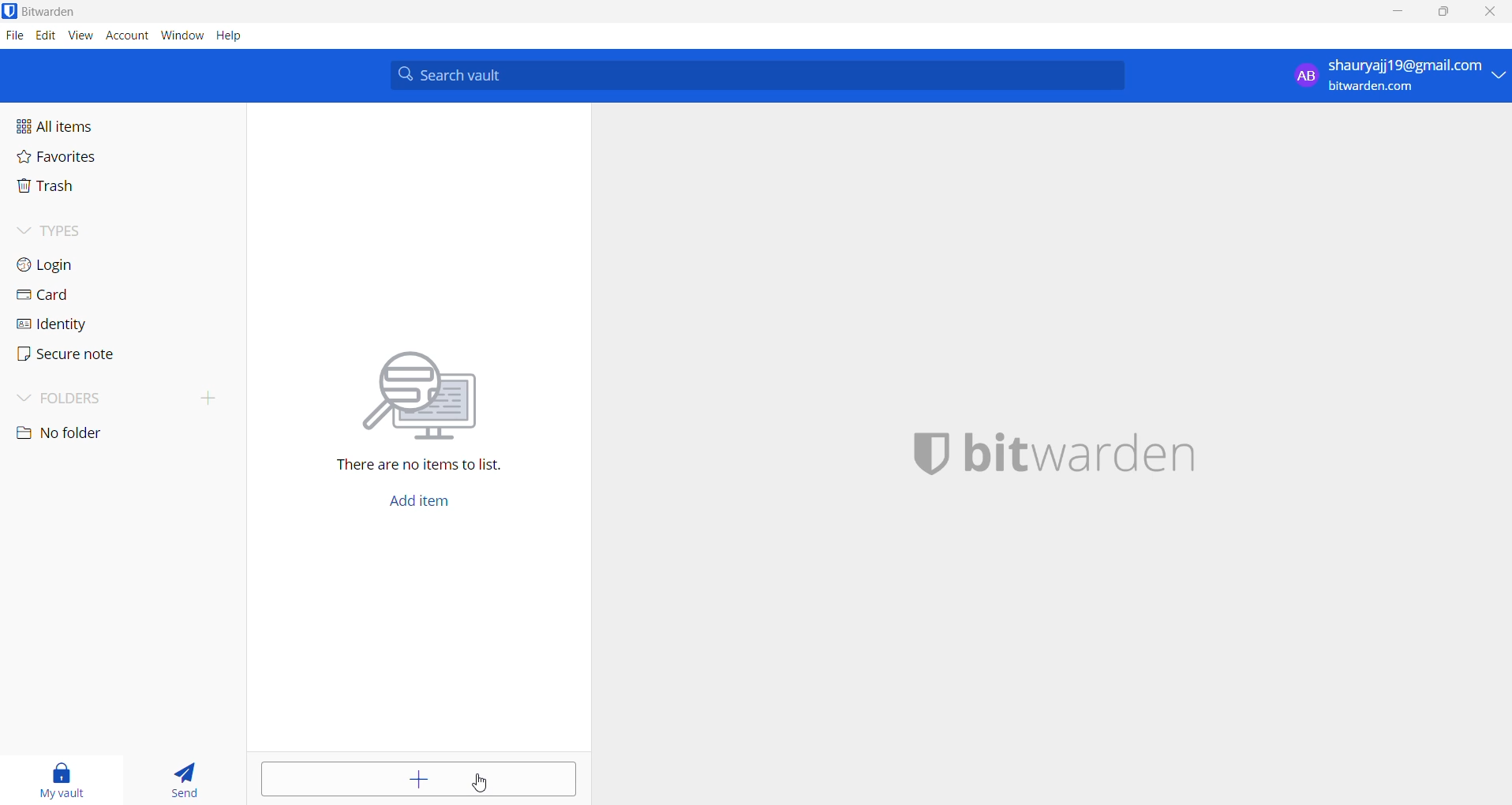 The image size is (1512, 805). Describe the element at coordinates (93, 434) in the screenshot. I see `no folder` at that location.